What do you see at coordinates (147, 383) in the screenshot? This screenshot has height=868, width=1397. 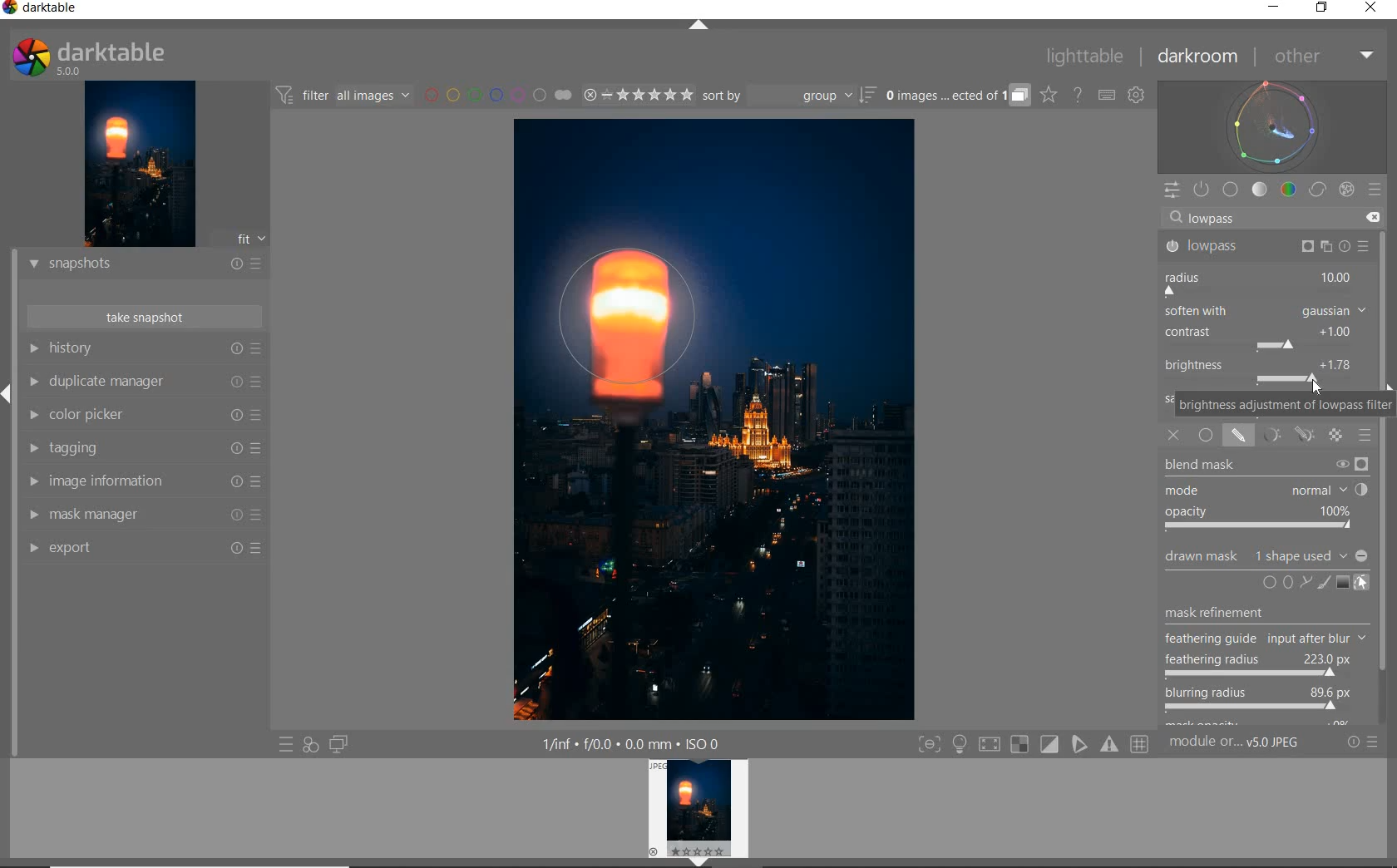 I see `DUPLICATE MANAGER` at bounding box center [147, 383].